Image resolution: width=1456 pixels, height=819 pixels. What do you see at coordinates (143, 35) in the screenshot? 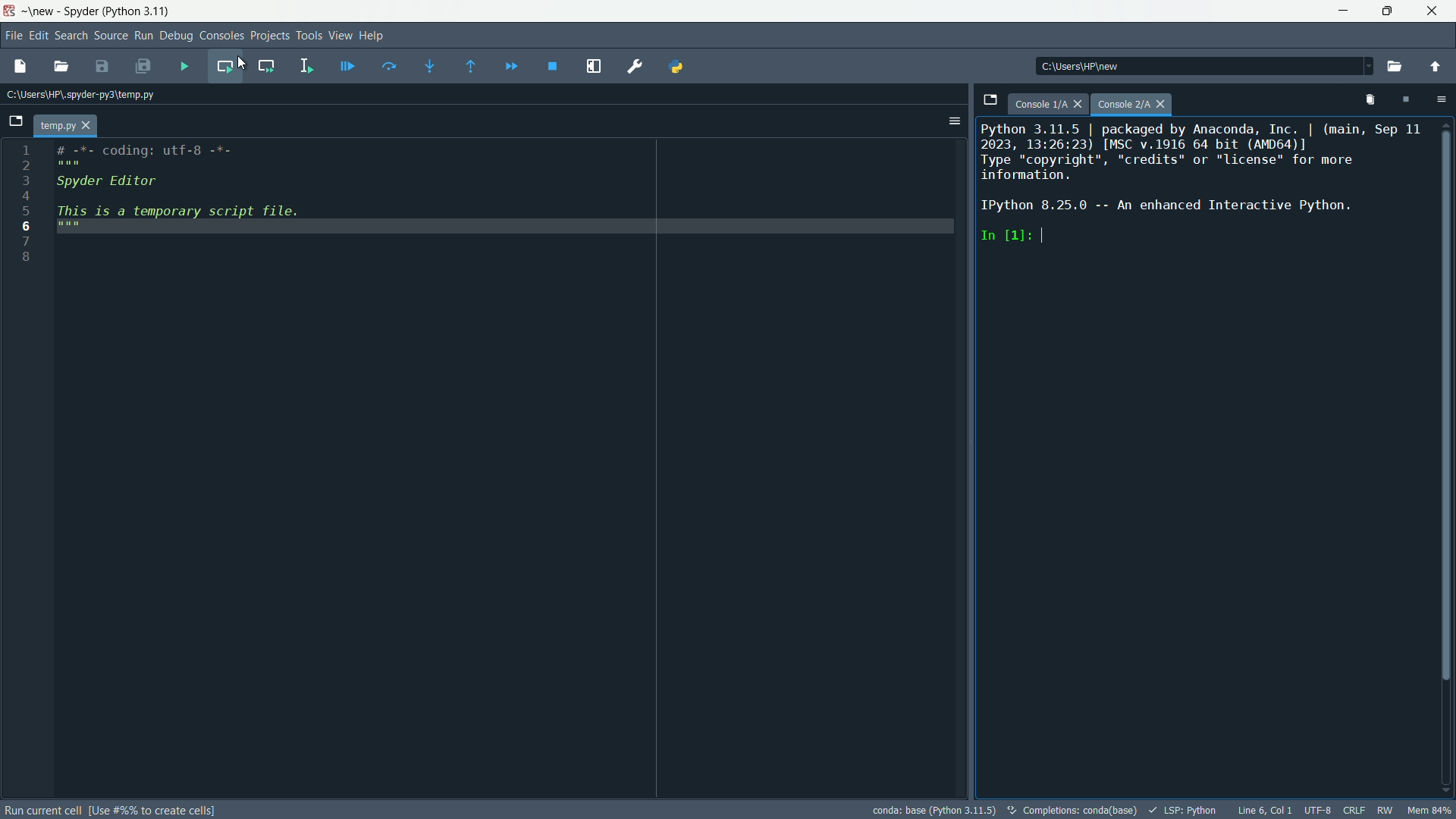
I see `run menu` at bounding box center [143, 35].